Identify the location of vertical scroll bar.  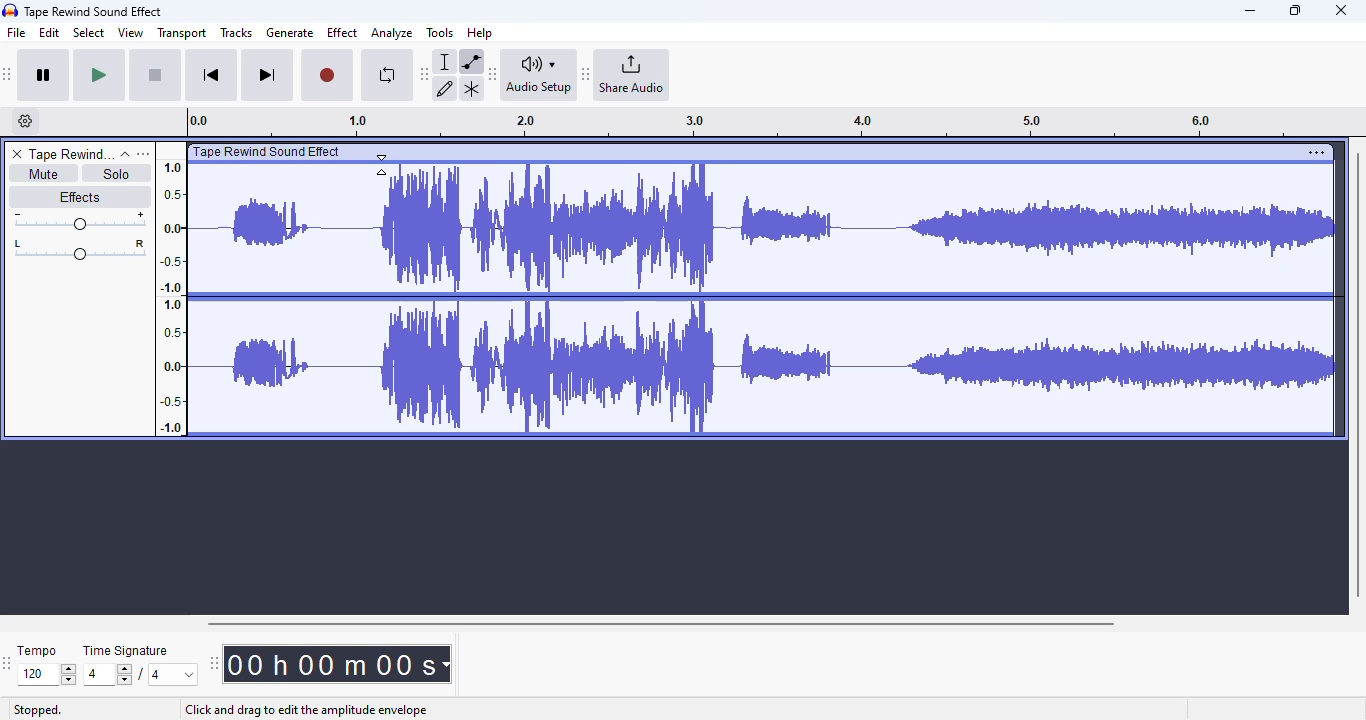
(1357, 372).